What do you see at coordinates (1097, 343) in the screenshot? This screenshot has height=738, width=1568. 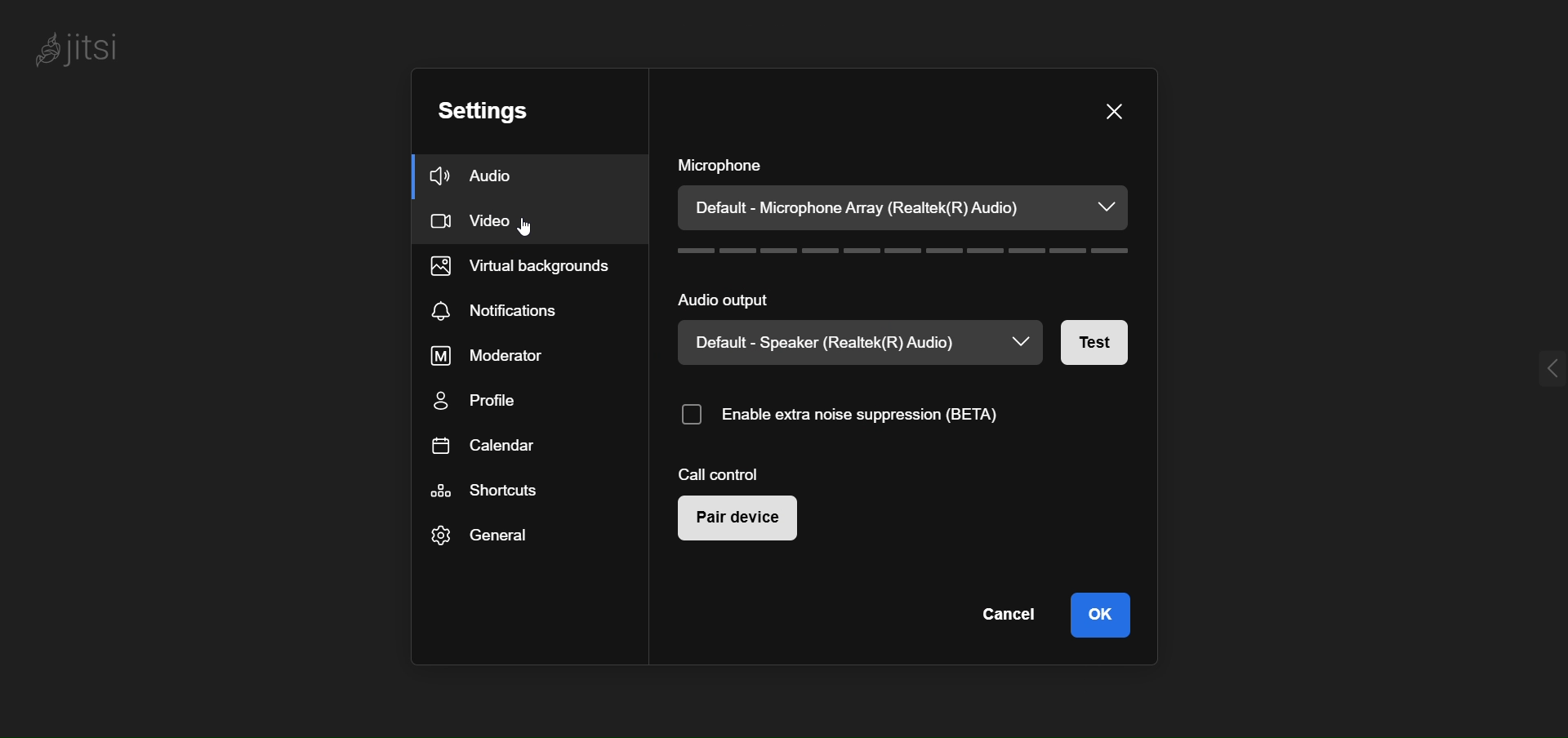 I see `test` at bounding box center [1097, 343].